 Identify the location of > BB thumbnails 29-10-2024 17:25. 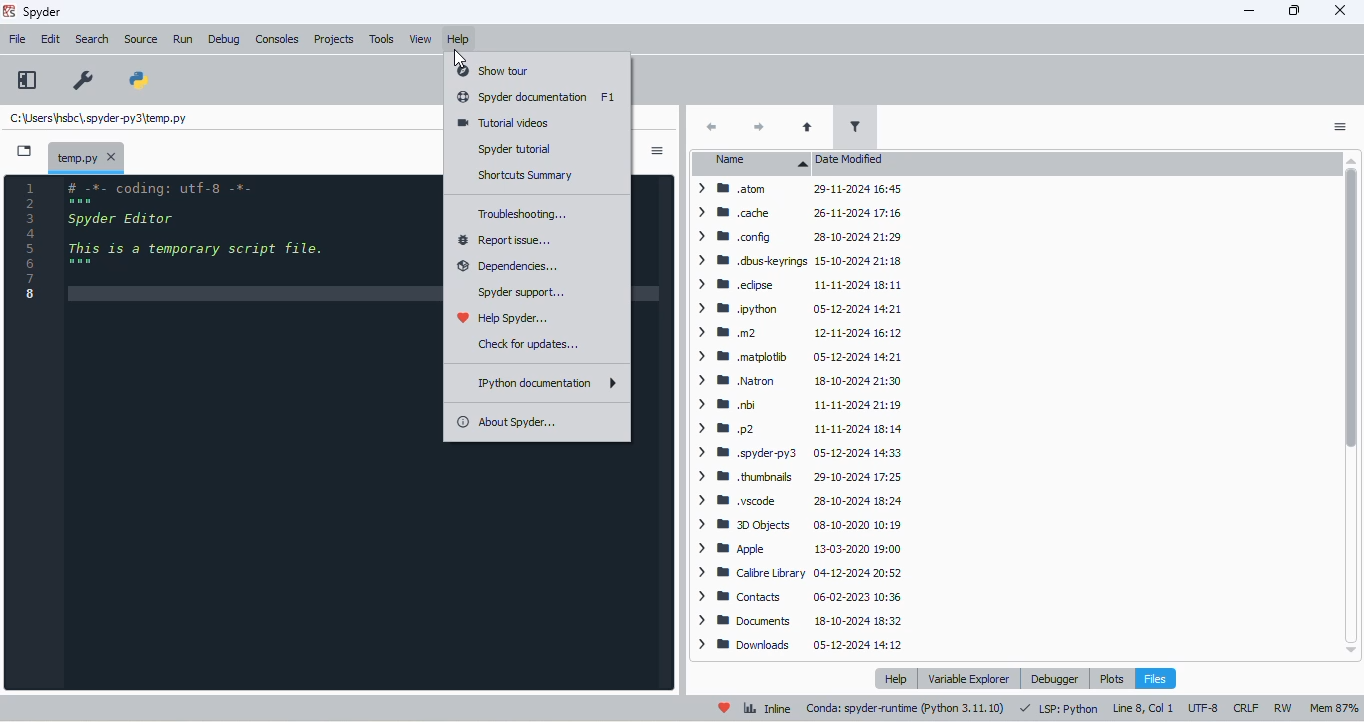
(798, 477).